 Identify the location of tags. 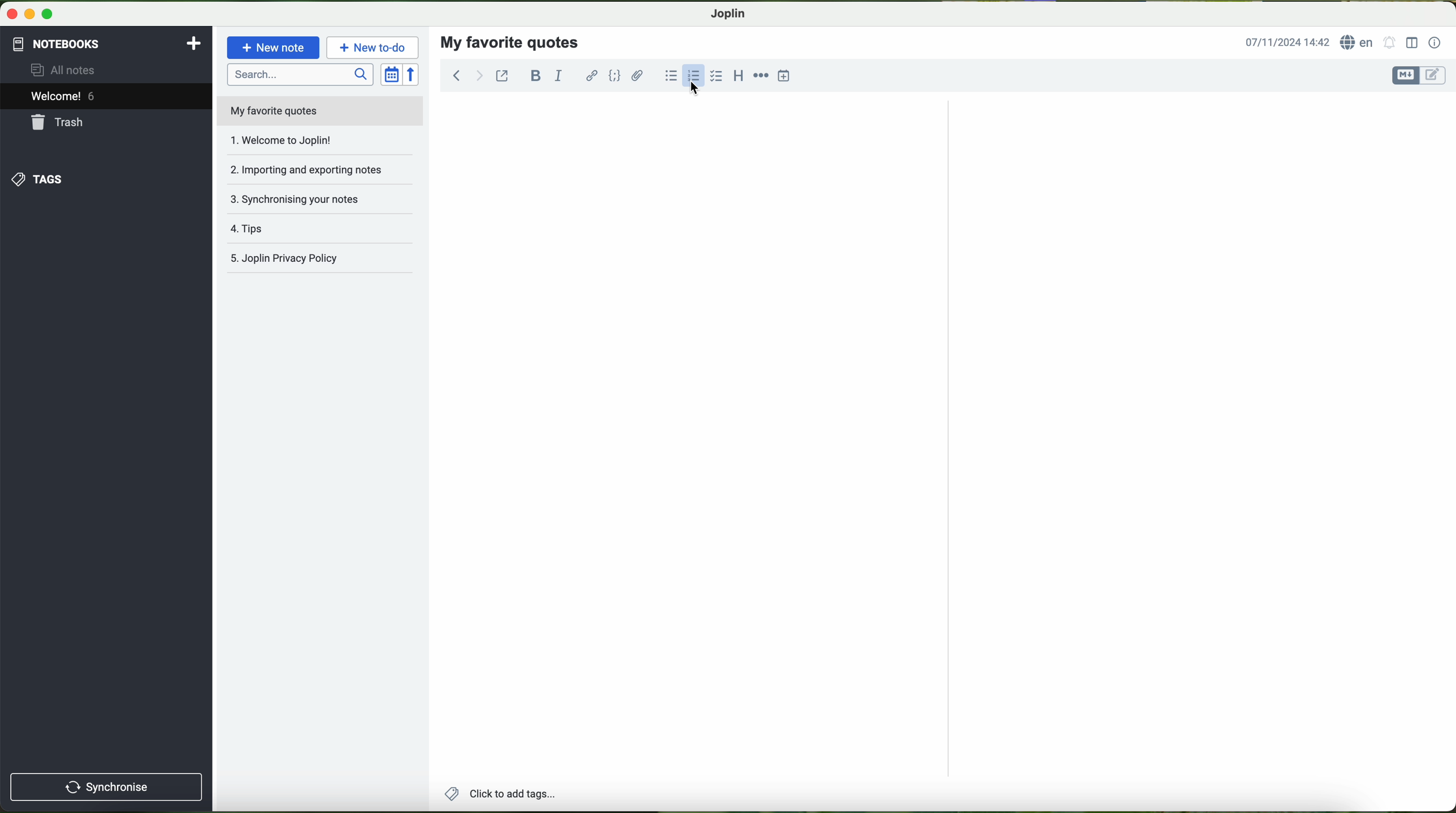
(106, 179).